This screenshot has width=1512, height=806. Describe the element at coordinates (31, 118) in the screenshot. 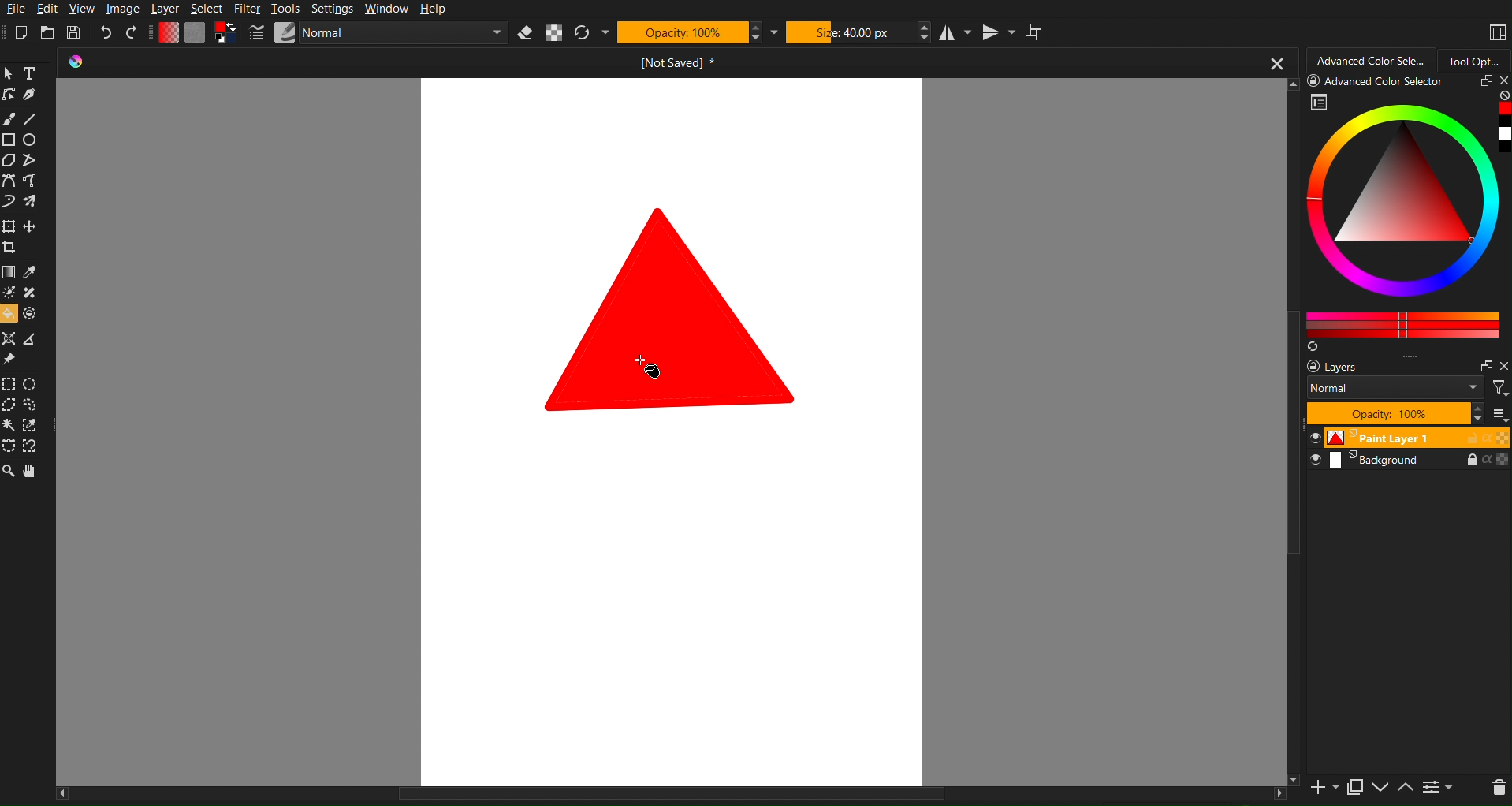

I see `Line ` at that location.